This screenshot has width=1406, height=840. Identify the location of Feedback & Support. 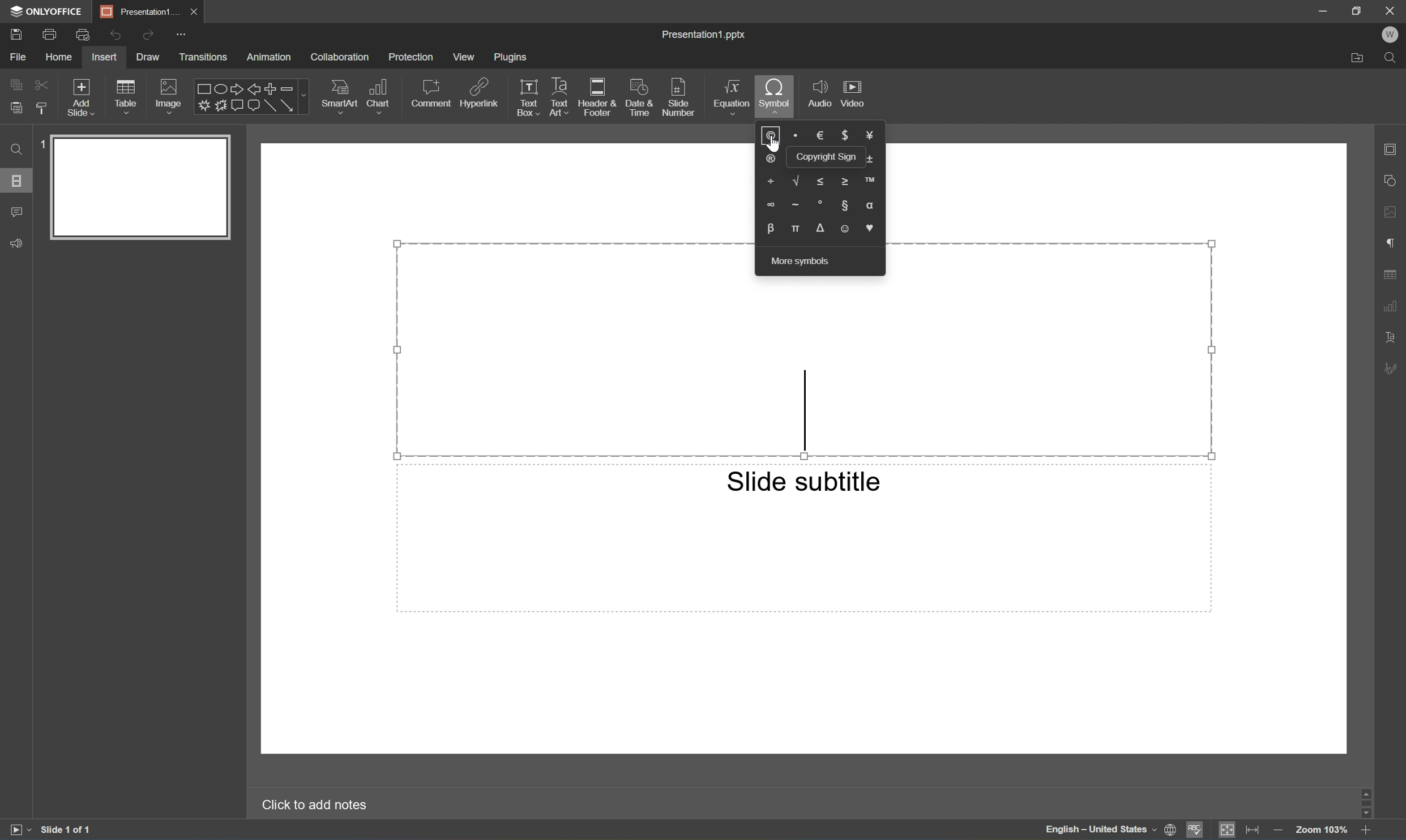
(14, 244).